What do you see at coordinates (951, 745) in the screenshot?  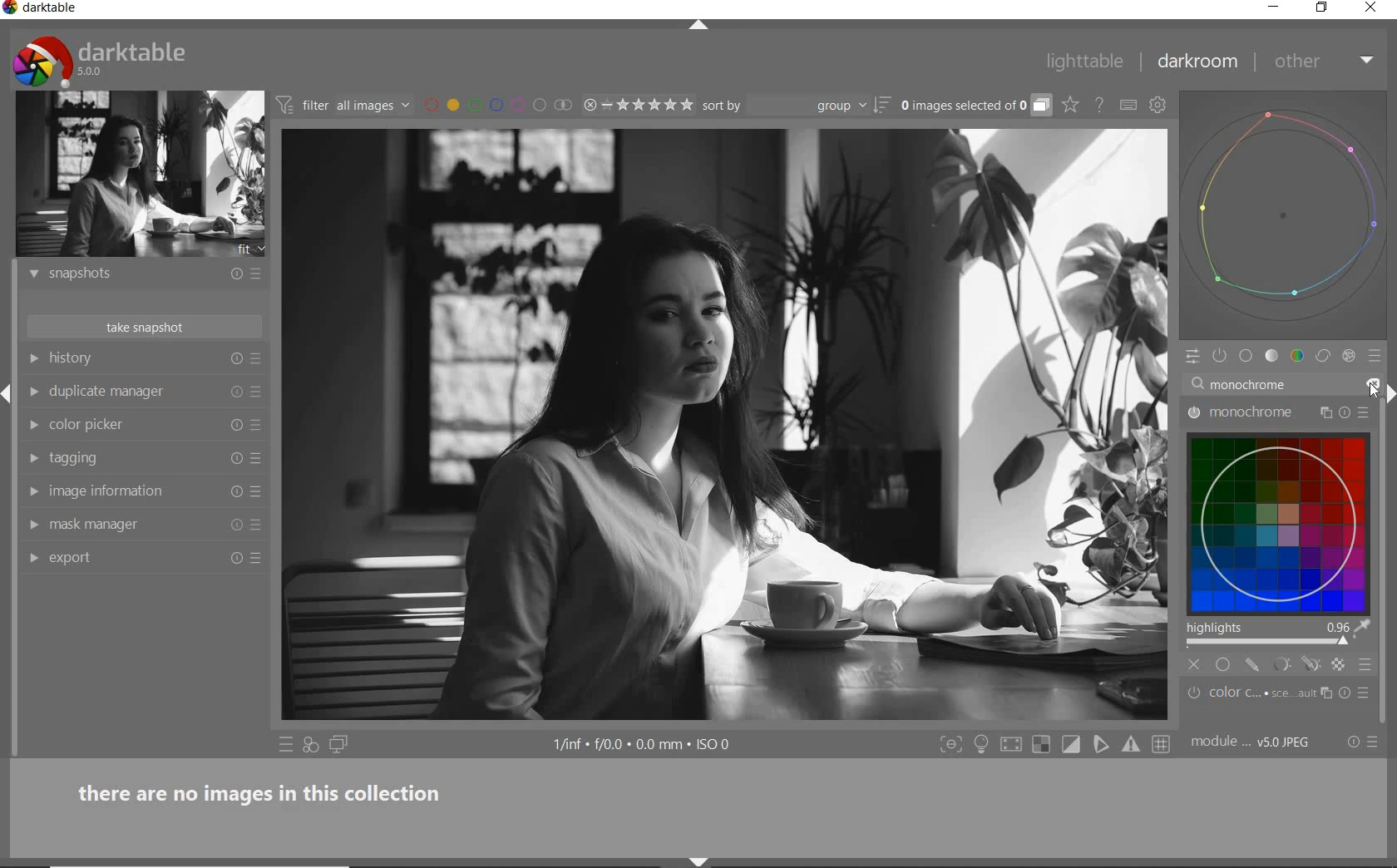 I see `shift+ctrl+f` at bounding box center [951, 745].